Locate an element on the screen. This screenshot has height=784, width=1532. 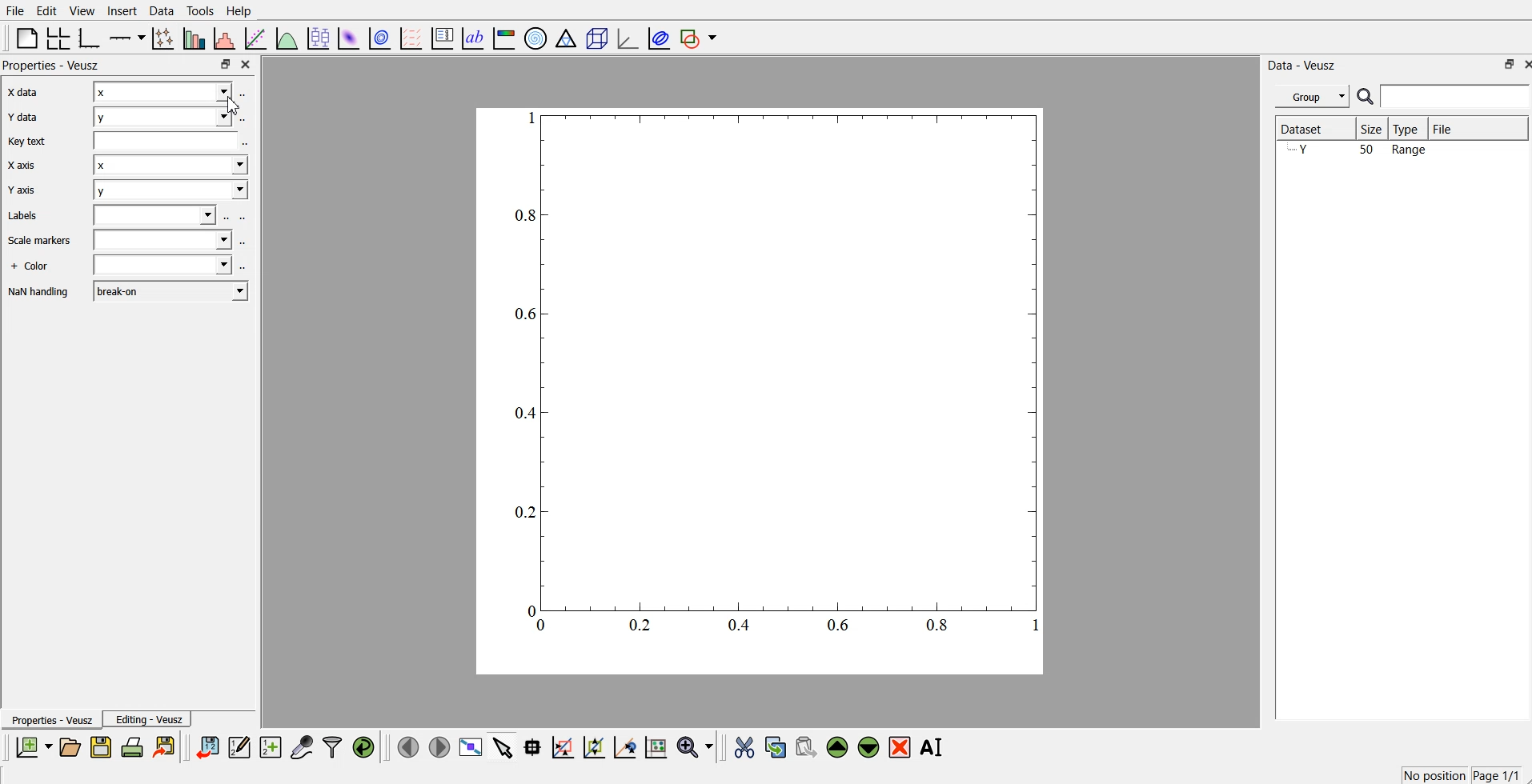
filter data is located at coordinates (332, 747).